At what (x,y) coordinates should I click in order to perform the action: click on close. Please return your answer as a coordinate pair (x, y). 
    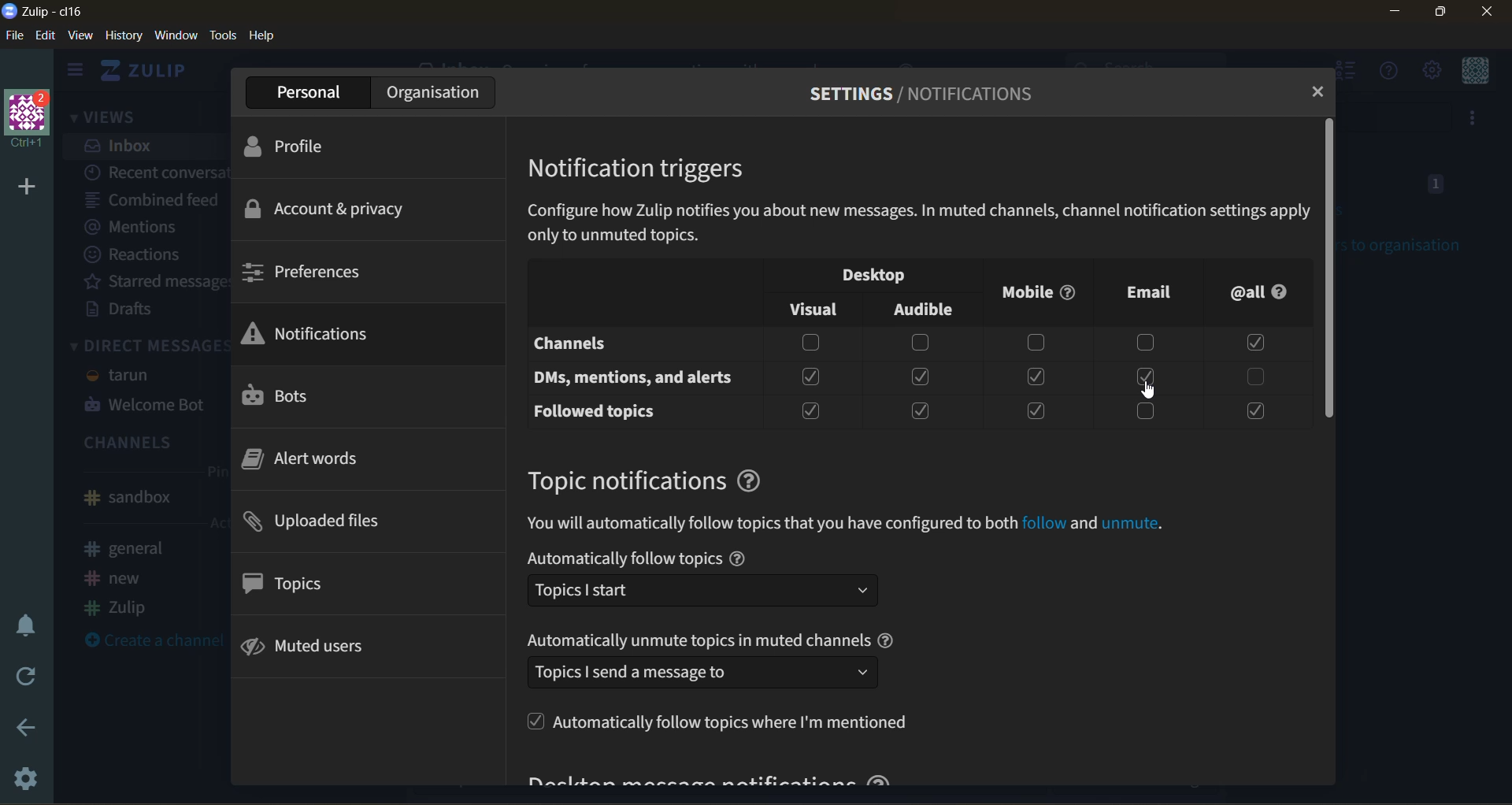
    Looking at the image, I should click on (1484, 13).